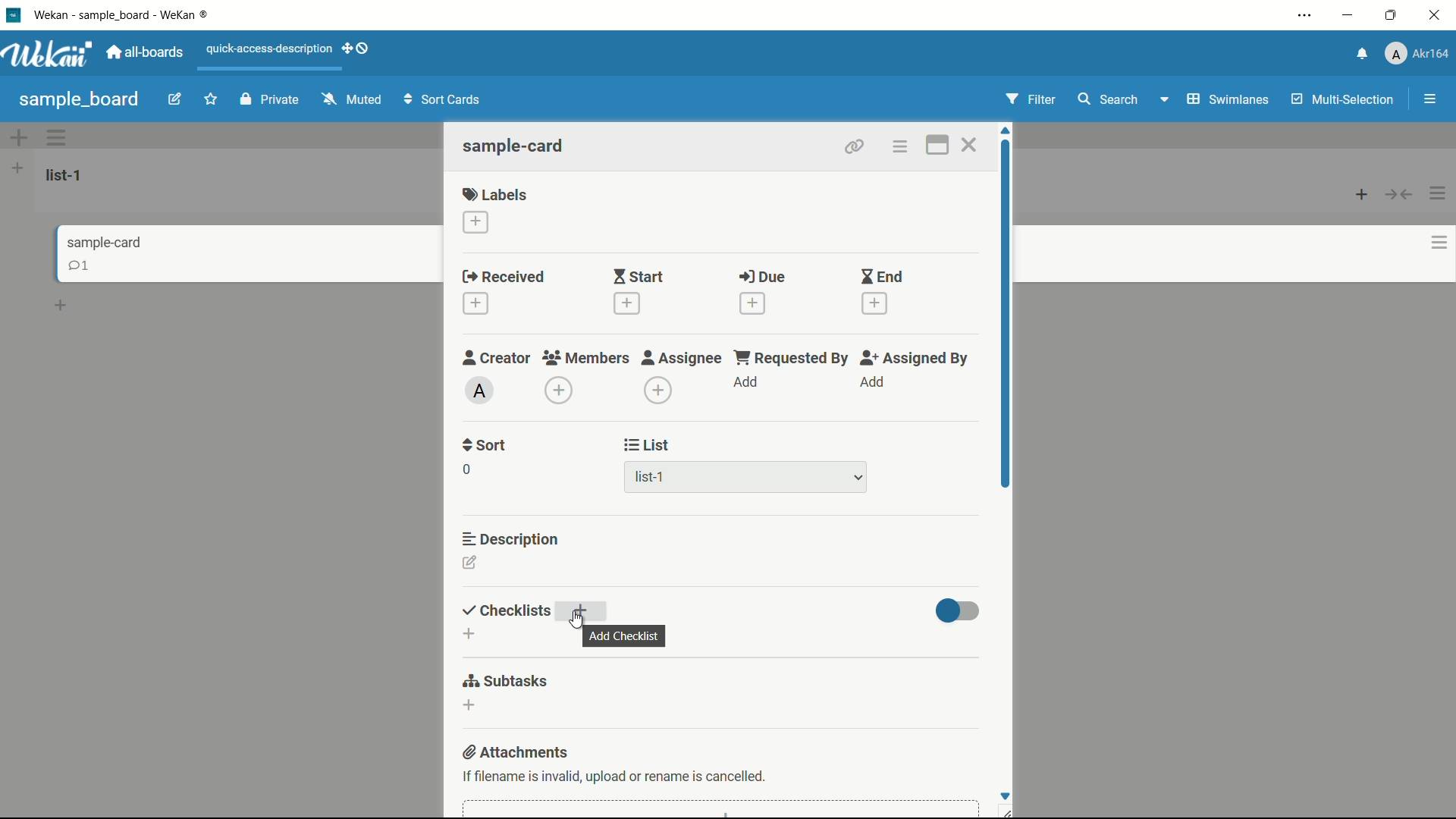 The width and height of the screenshot is (1456, 819). I want to click on assignee, so click(682, 359).